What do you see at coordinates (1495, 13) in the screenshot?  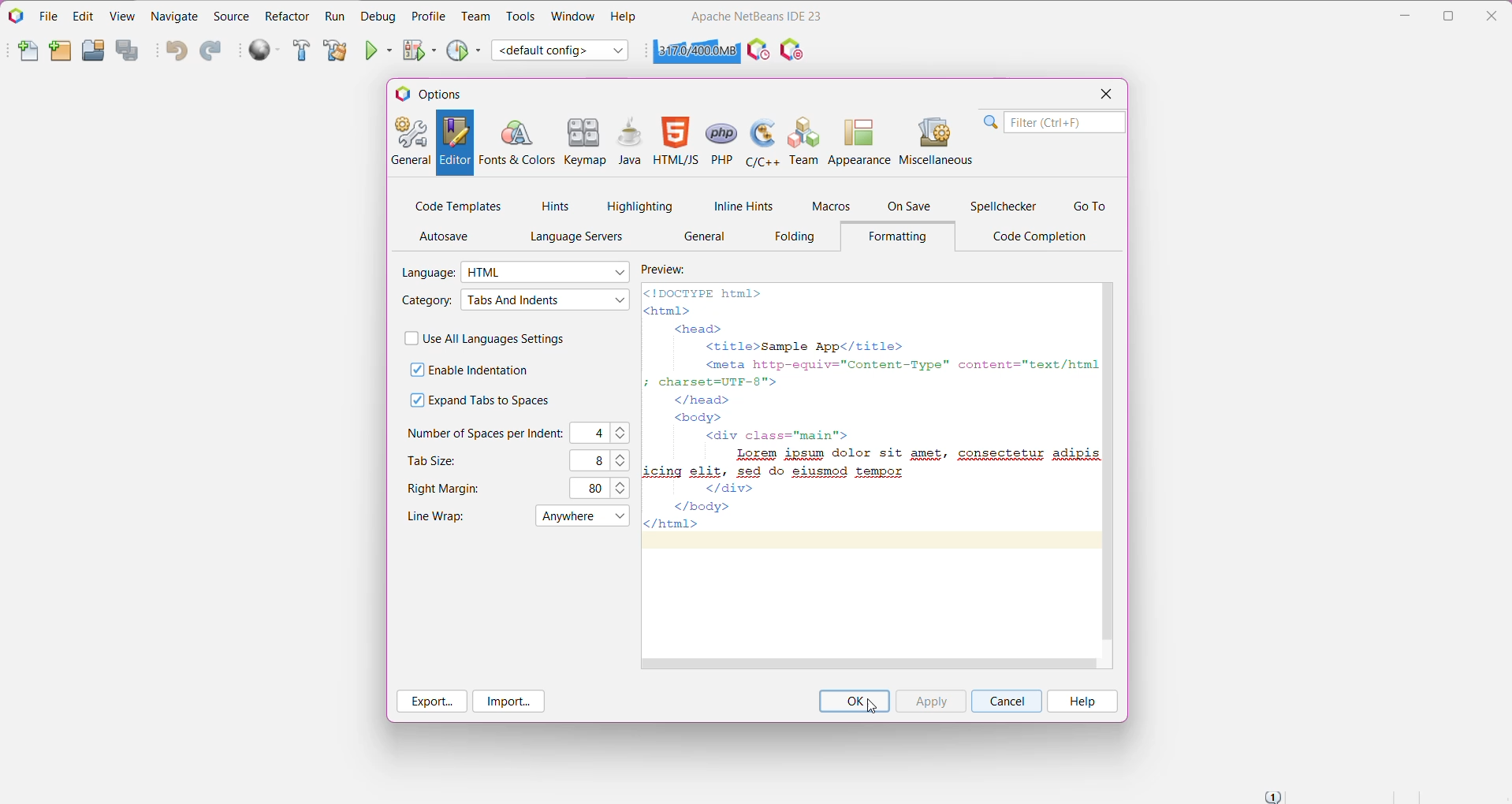 I see `Close` at bounding box center [1495, 13].